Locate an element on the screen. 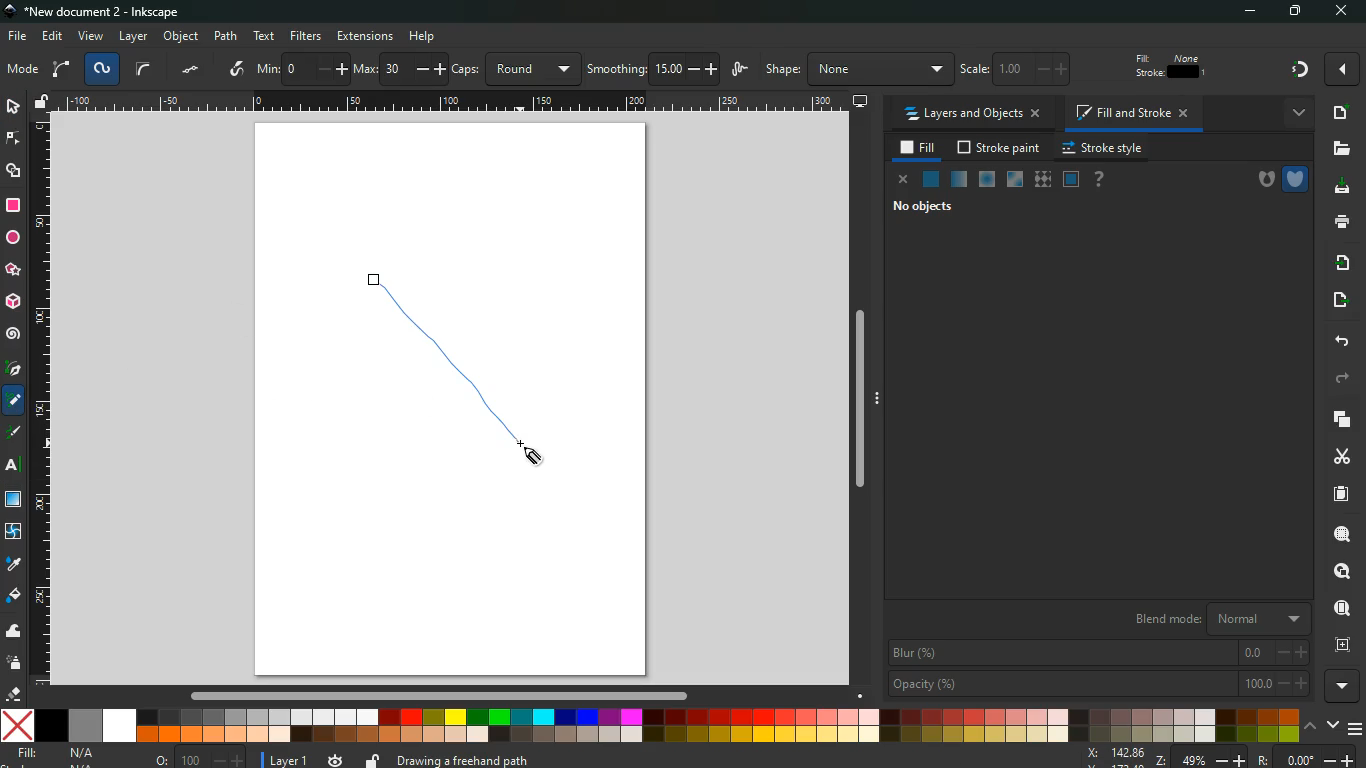 The width and height of the screenshot is (1366, 768).  is located at coordinates (12, 466).